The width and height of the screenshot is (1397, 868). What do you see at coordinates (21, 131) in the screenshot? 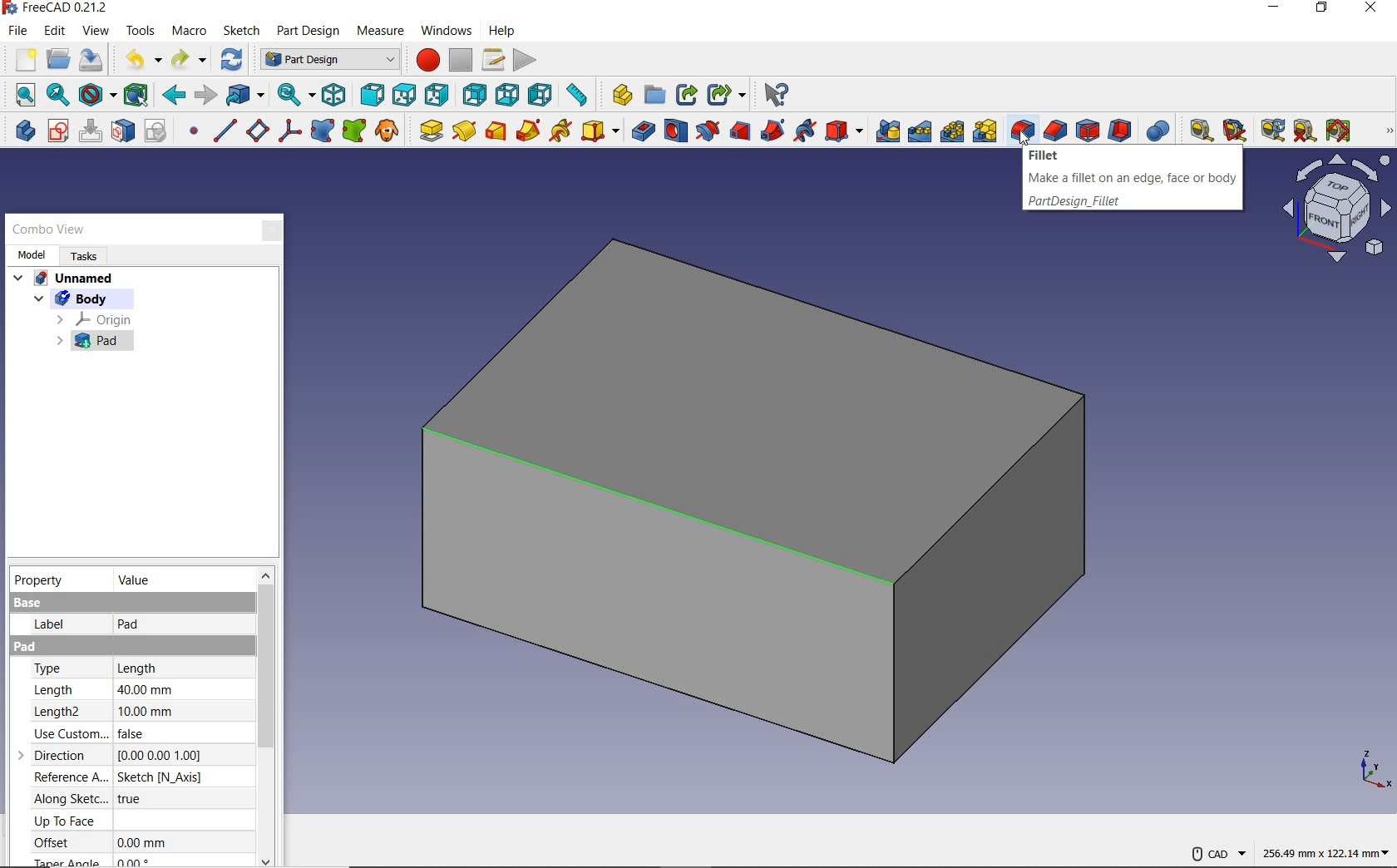
I see `create body` at bounding box center [21, 131].